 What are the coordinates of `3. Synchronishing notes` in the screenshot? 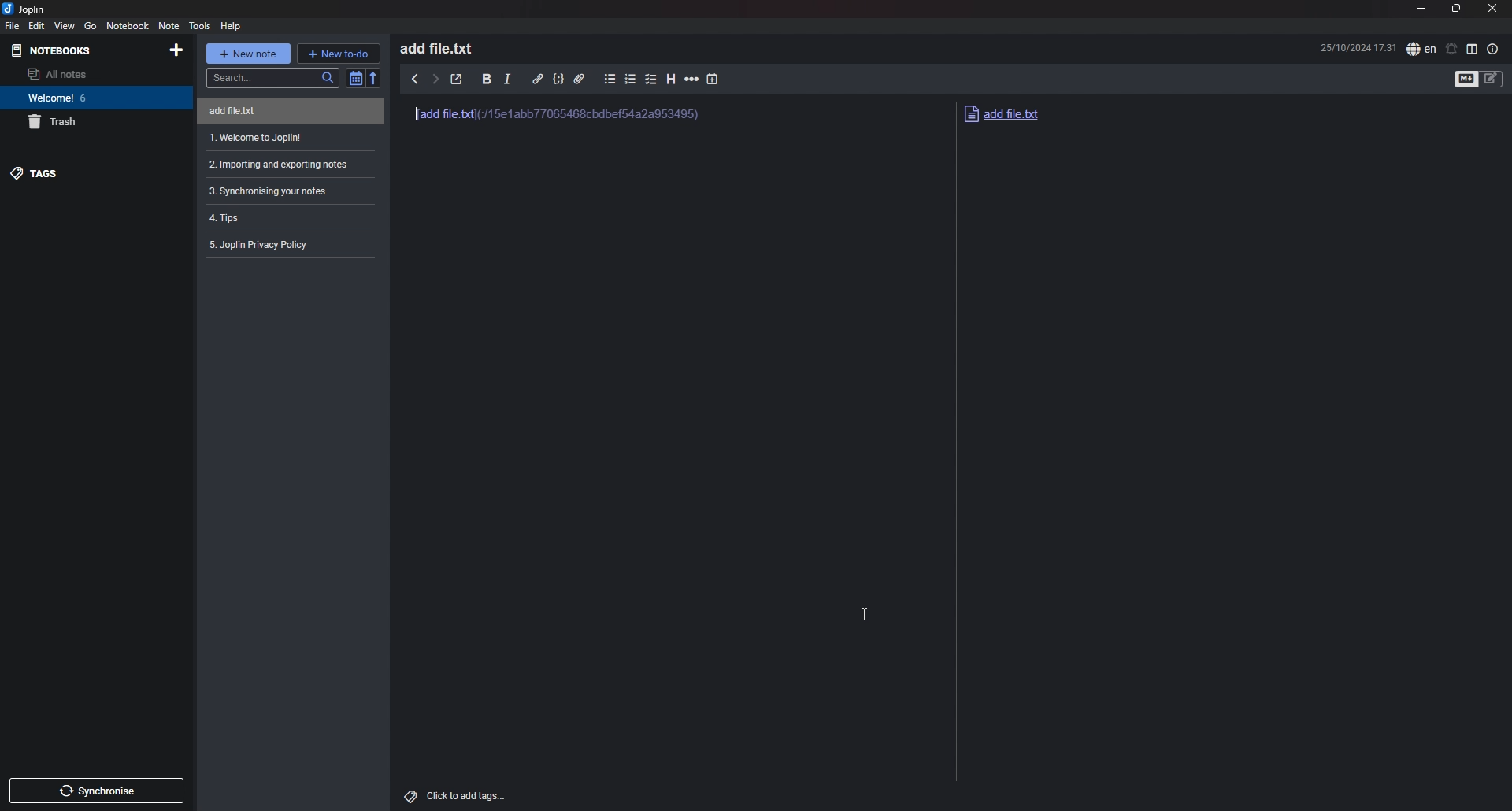 It's located at (284, 191).